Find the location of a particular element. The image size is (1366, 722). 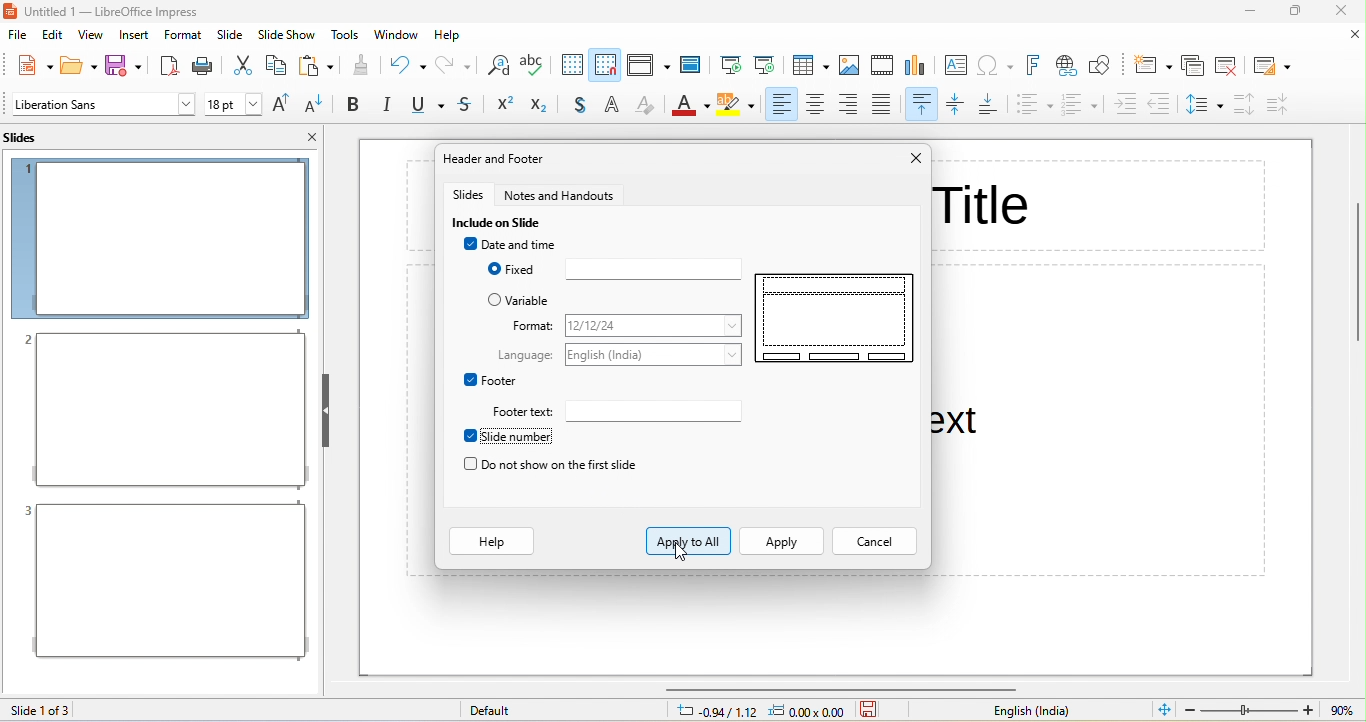

cancel is located at coordinates (874, 542).